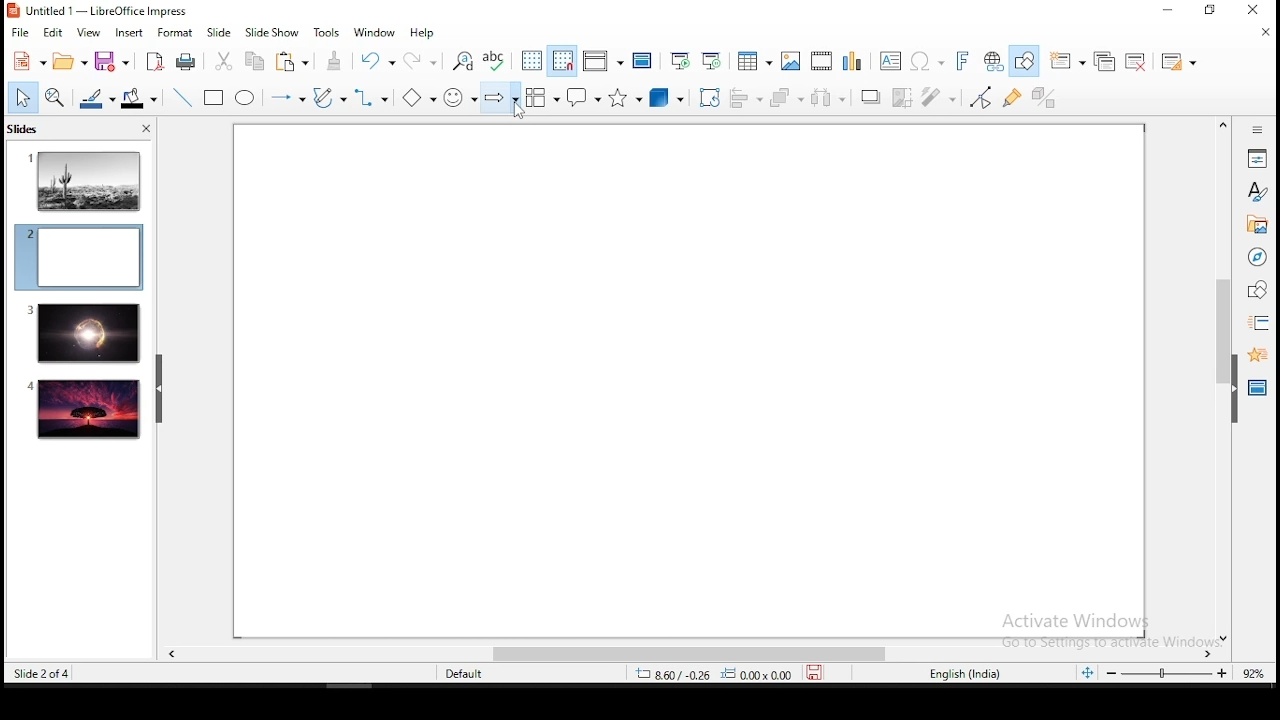 The height and width of the screenshot is (720, 1280). I want to click on distribute, so click(830, 98).